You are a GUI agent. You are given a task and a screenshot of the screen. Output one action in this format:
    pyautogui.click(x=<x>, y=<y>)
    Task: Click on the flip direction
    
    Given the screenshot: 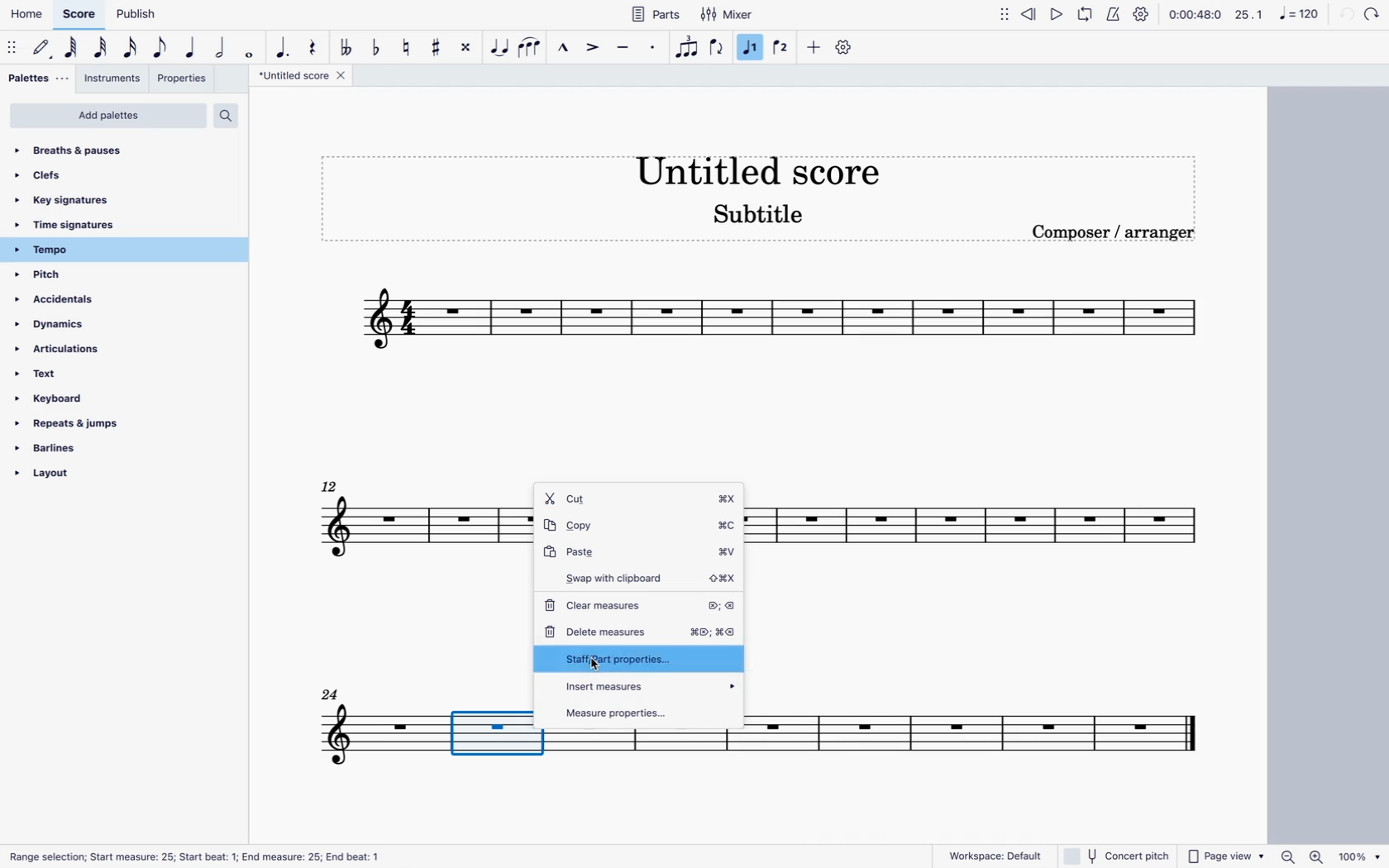 What is the action you would take?
    pyautogui.click(x=716, y=47)
    